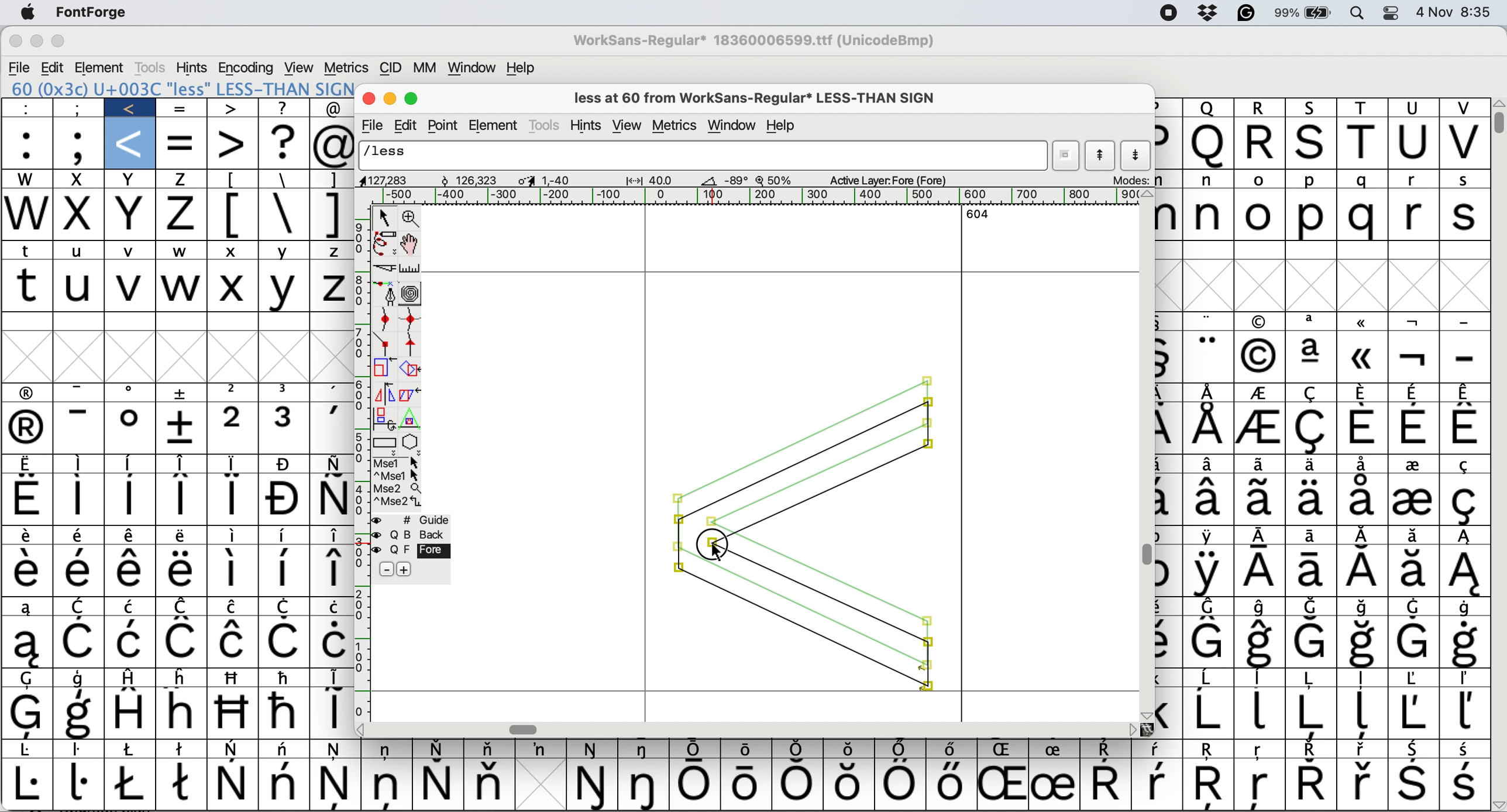 Image resolution: width=1507 pixels, height=812 pixels. Describe the element at coordinates (1313, 108) in the screenshot. I see `s` at that location.